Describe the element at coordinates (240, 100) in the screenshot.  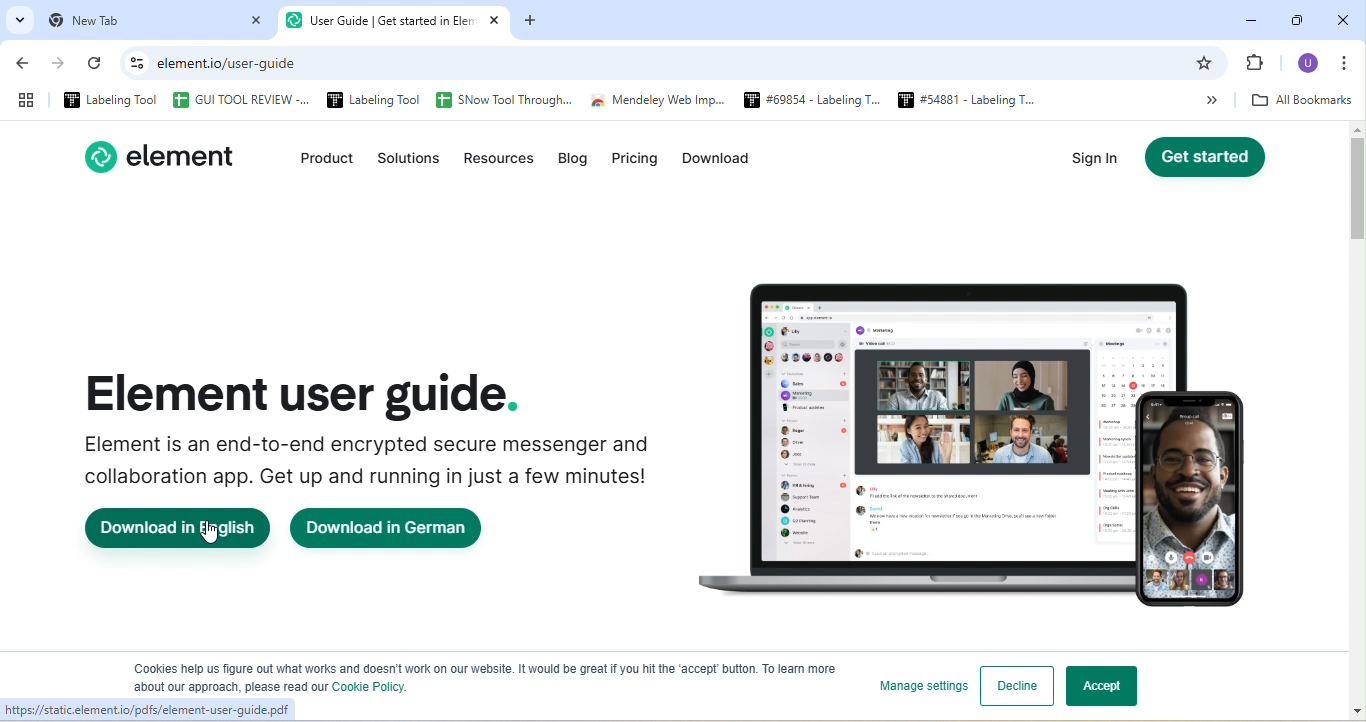
I see `GUI TOOL REVIEW -...` at that location.